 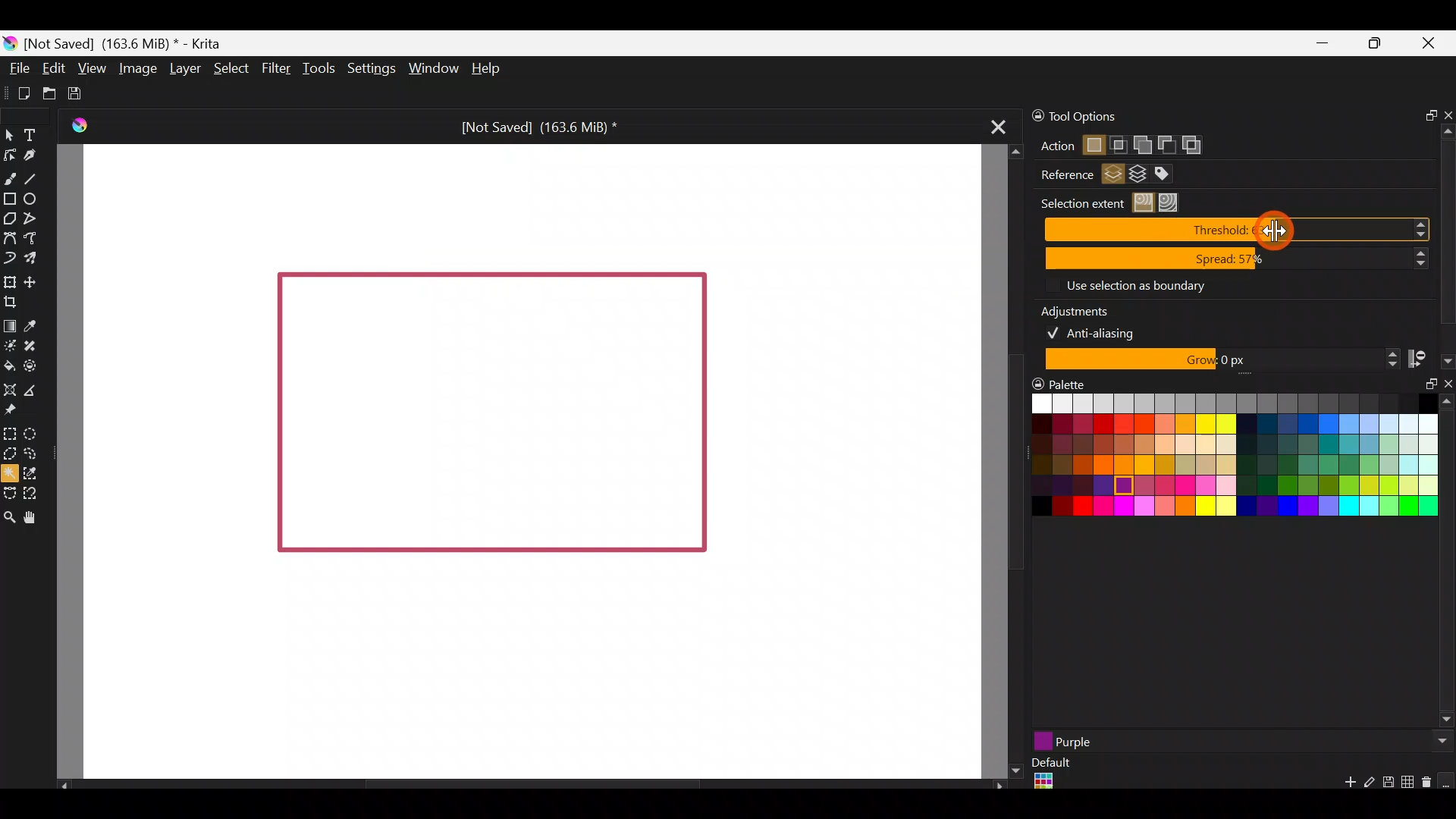 I want to click on Minimize, so click(x=1323, y=44).